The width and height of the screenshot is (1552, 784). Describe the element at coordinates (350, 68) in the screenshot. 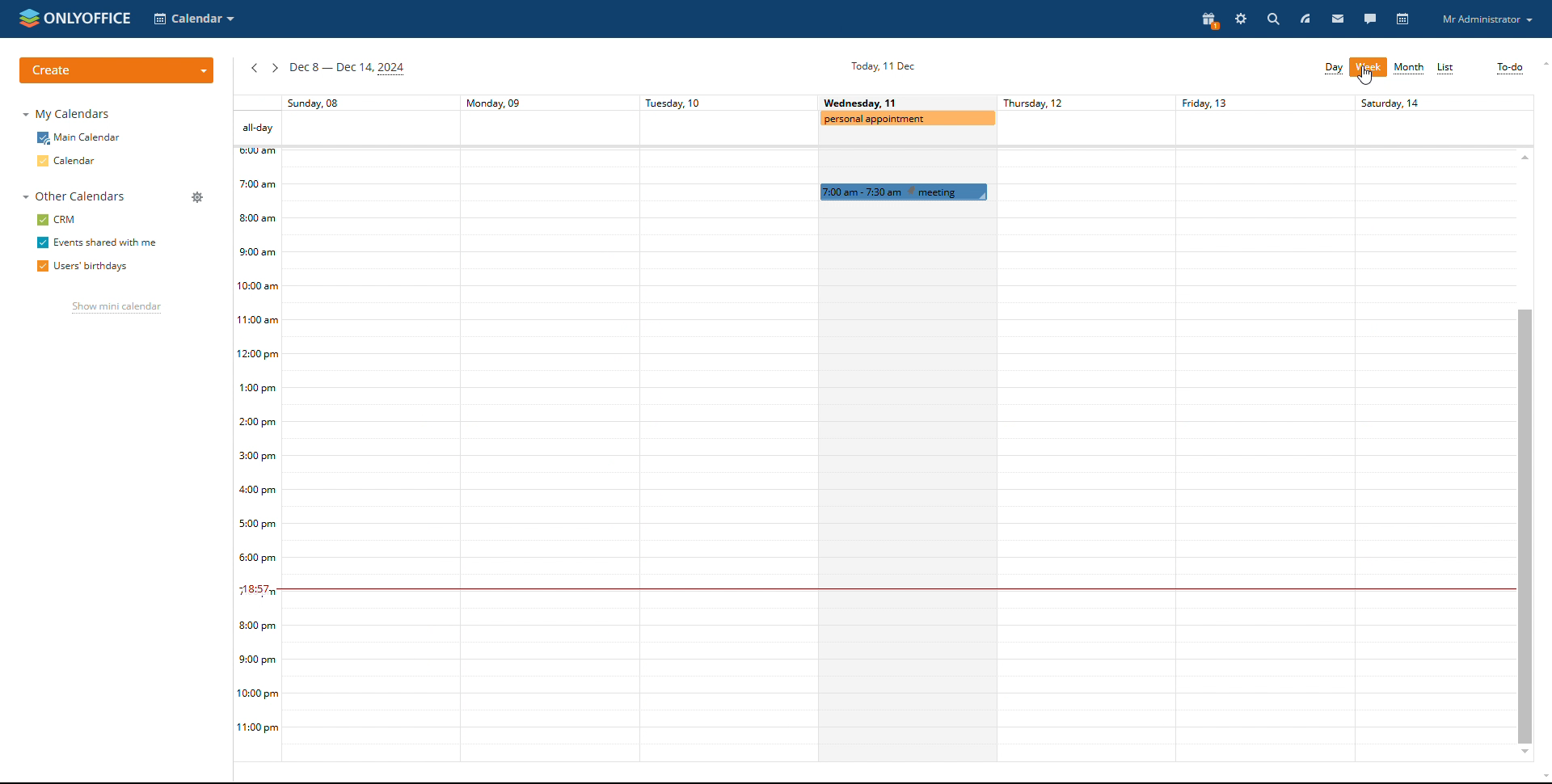

I see `current week` at that location.